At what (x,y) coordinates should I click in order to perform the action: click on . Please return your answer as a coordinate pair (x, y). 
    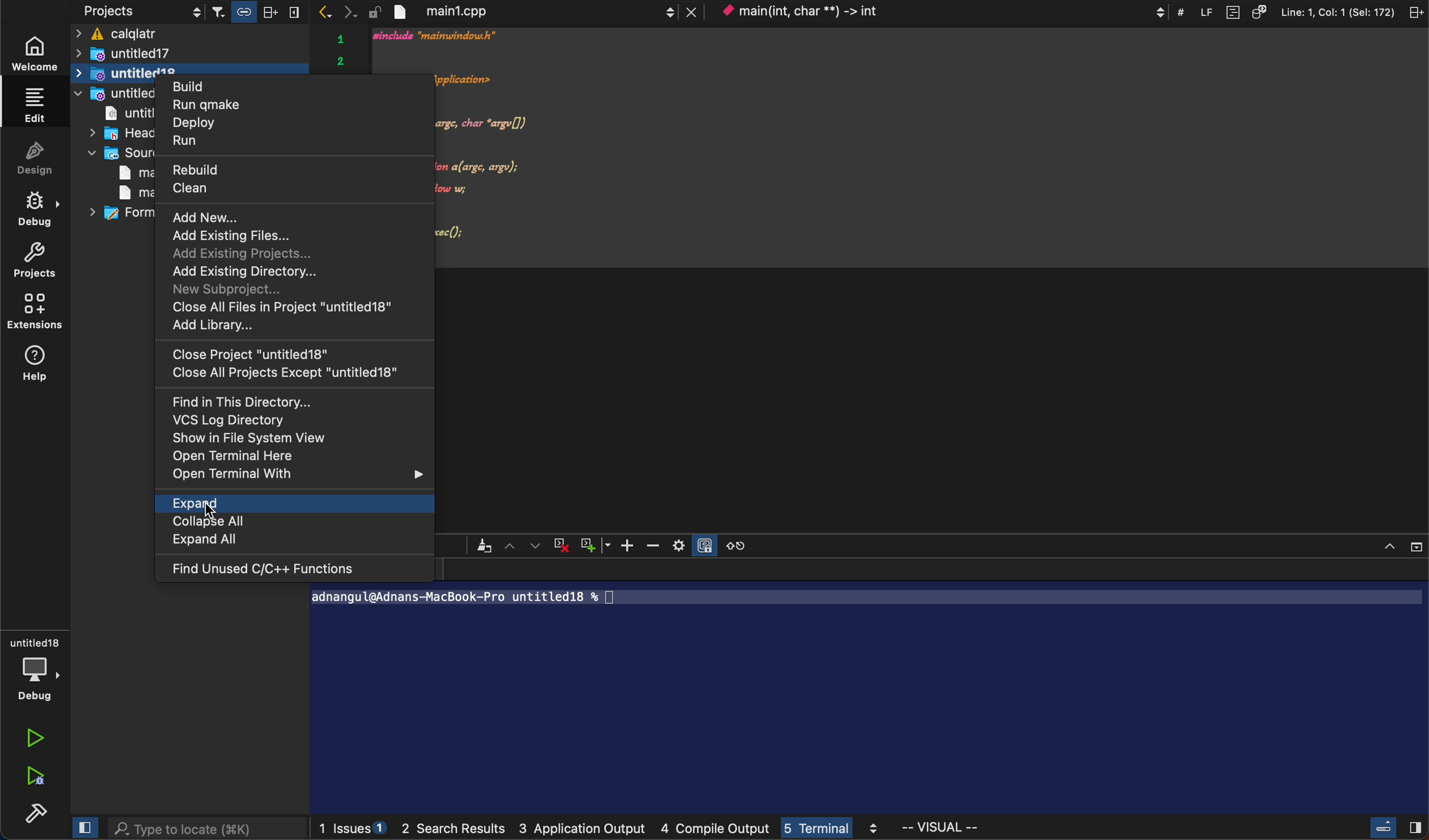
    Looking at the image, I should click on (200, 189).